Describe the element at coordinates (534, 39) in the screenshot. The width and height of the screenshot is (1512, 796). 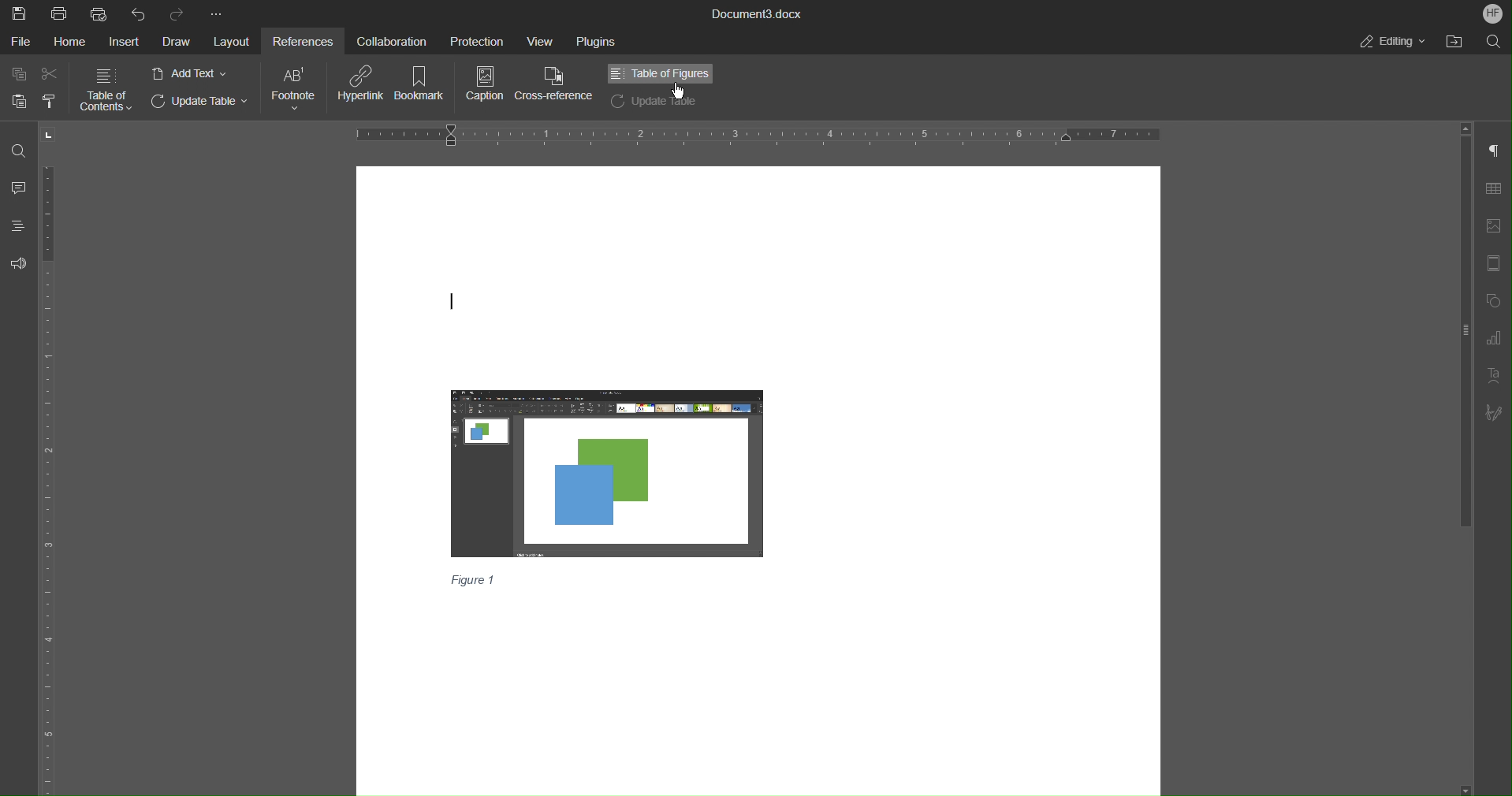
I see `View ` at that location.